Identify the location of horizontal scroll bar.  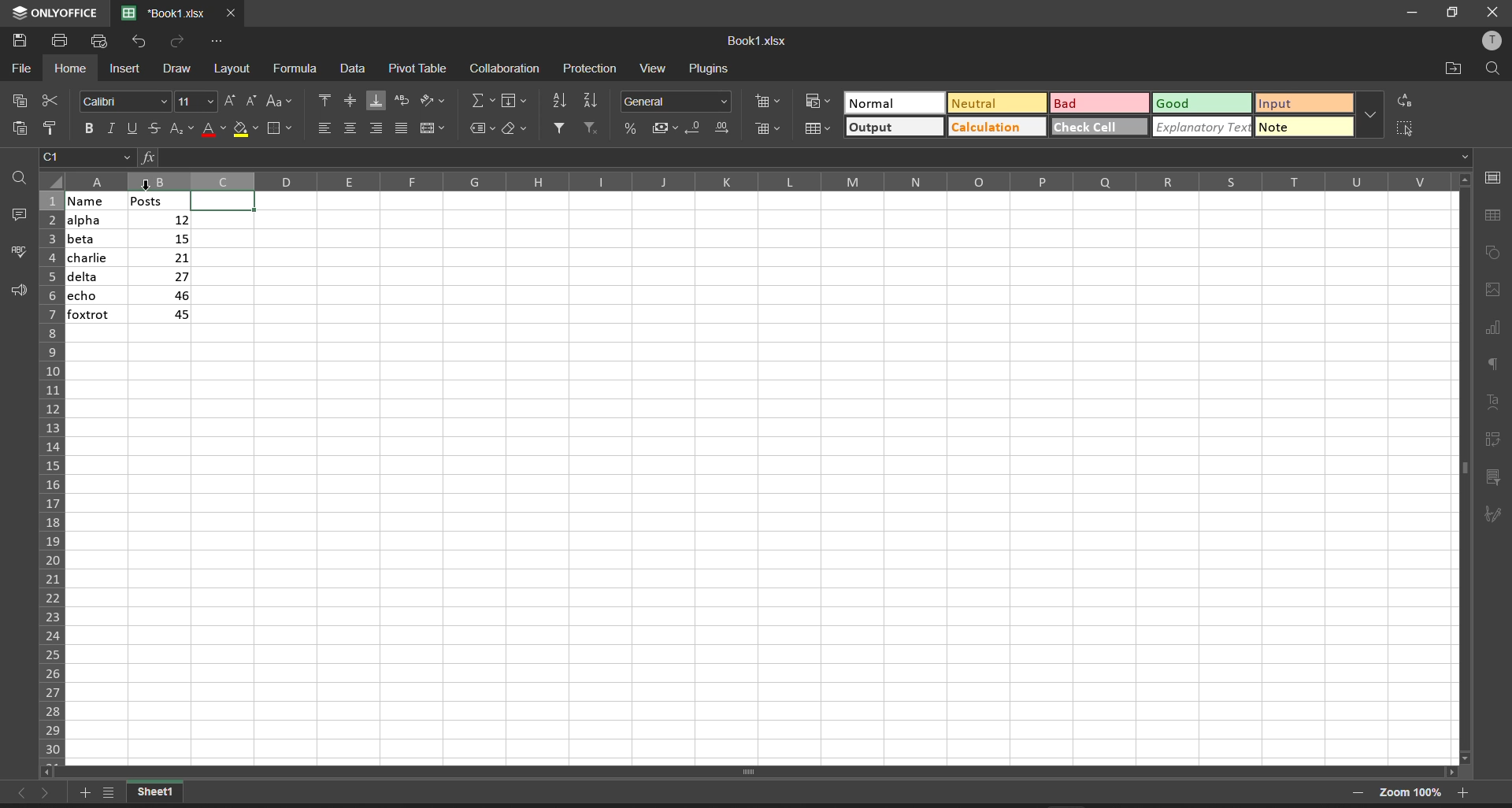
(807, 1240).